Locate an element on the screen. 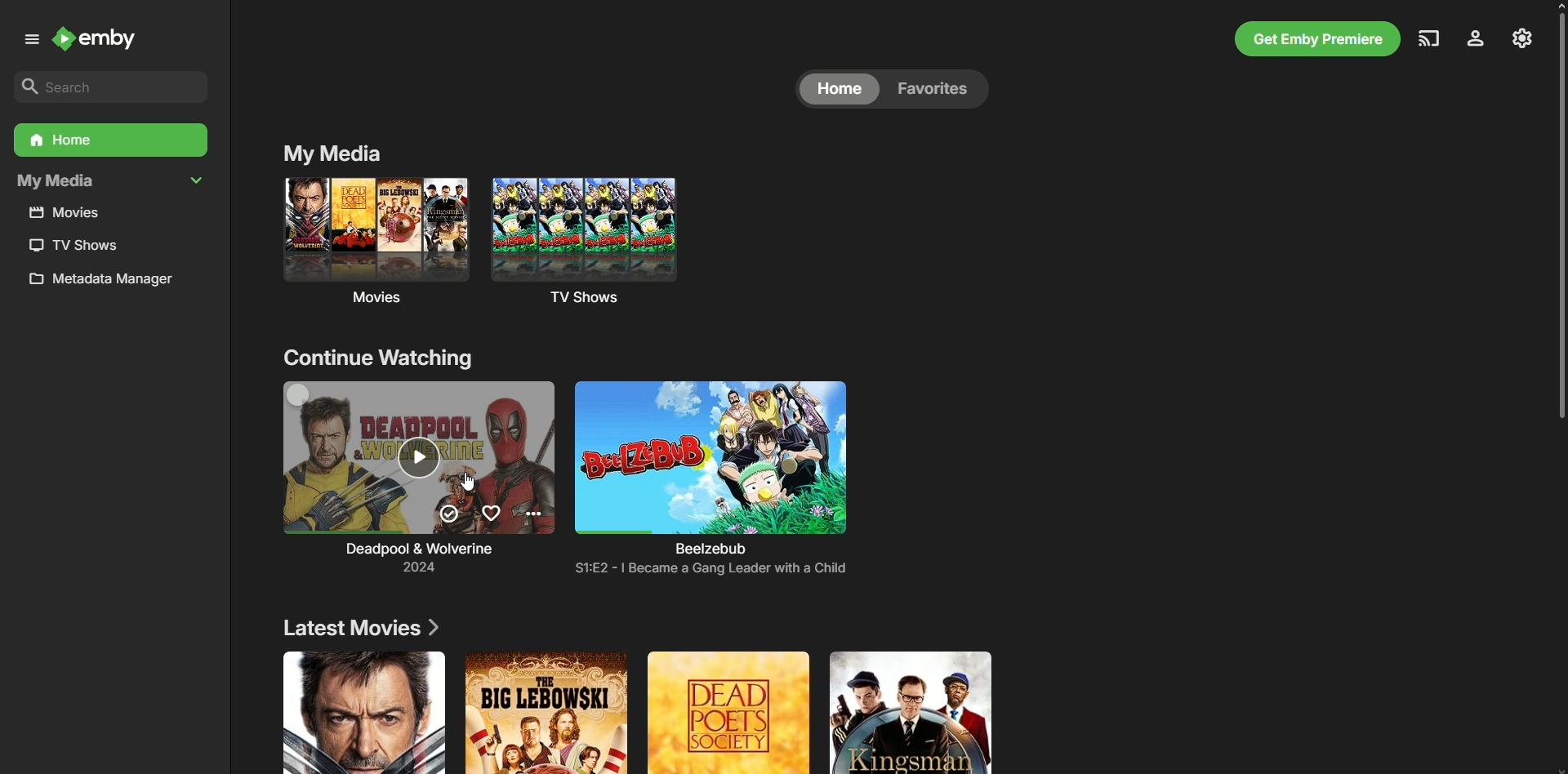  Beelzebub is located at coordinates (710, 467).